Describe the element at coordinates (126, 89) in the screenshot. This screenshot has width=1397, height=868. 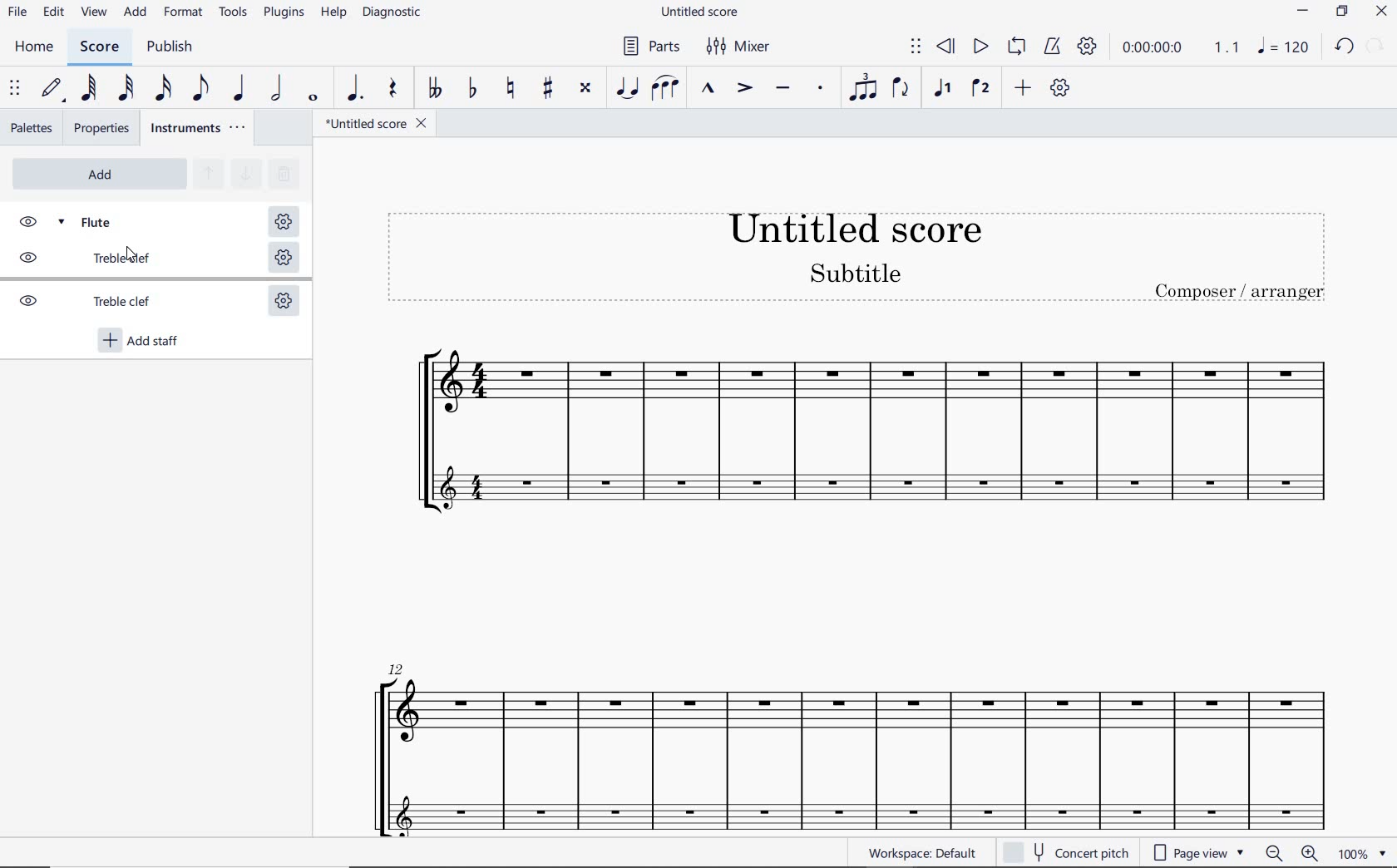
I see `32ND NOTE` at that location.